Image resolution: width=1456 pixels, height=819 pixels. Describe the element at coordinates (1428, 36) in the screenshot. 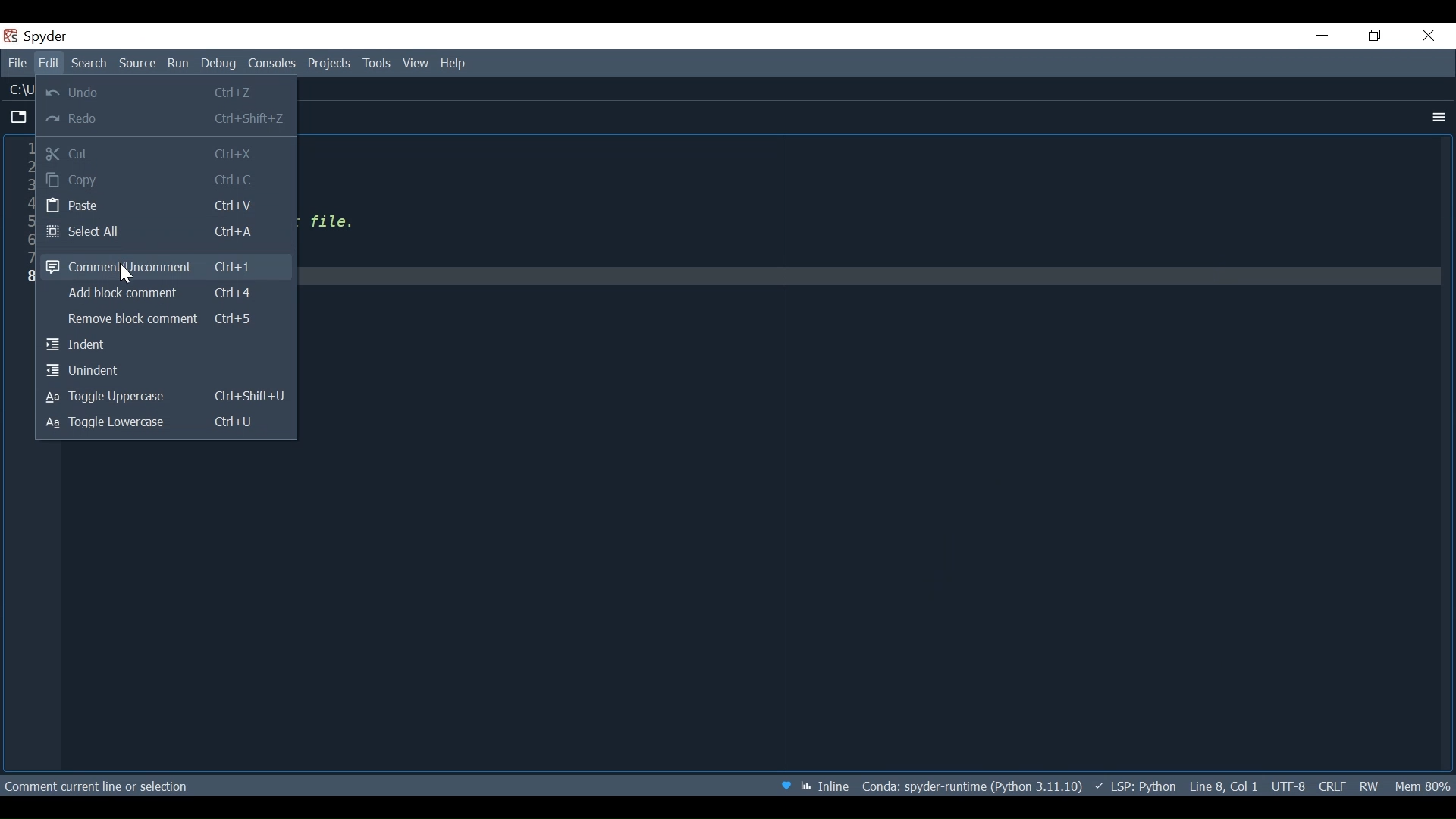

I see `Close` at that location.